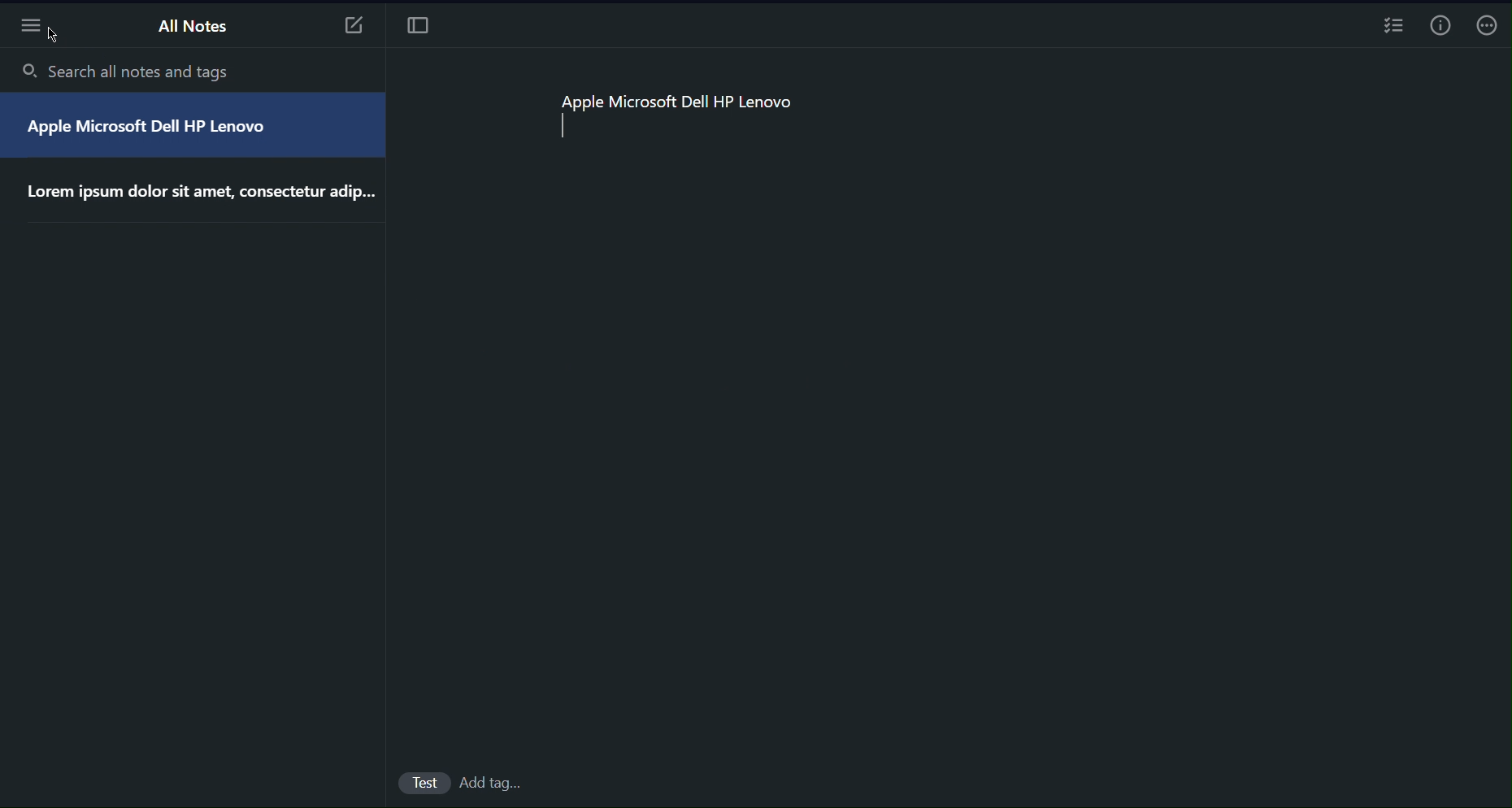  Describe the element at coordinates (156, 131) in the screenshot. I see `Apple Microsoft Dell HP Lenovo` at that location.